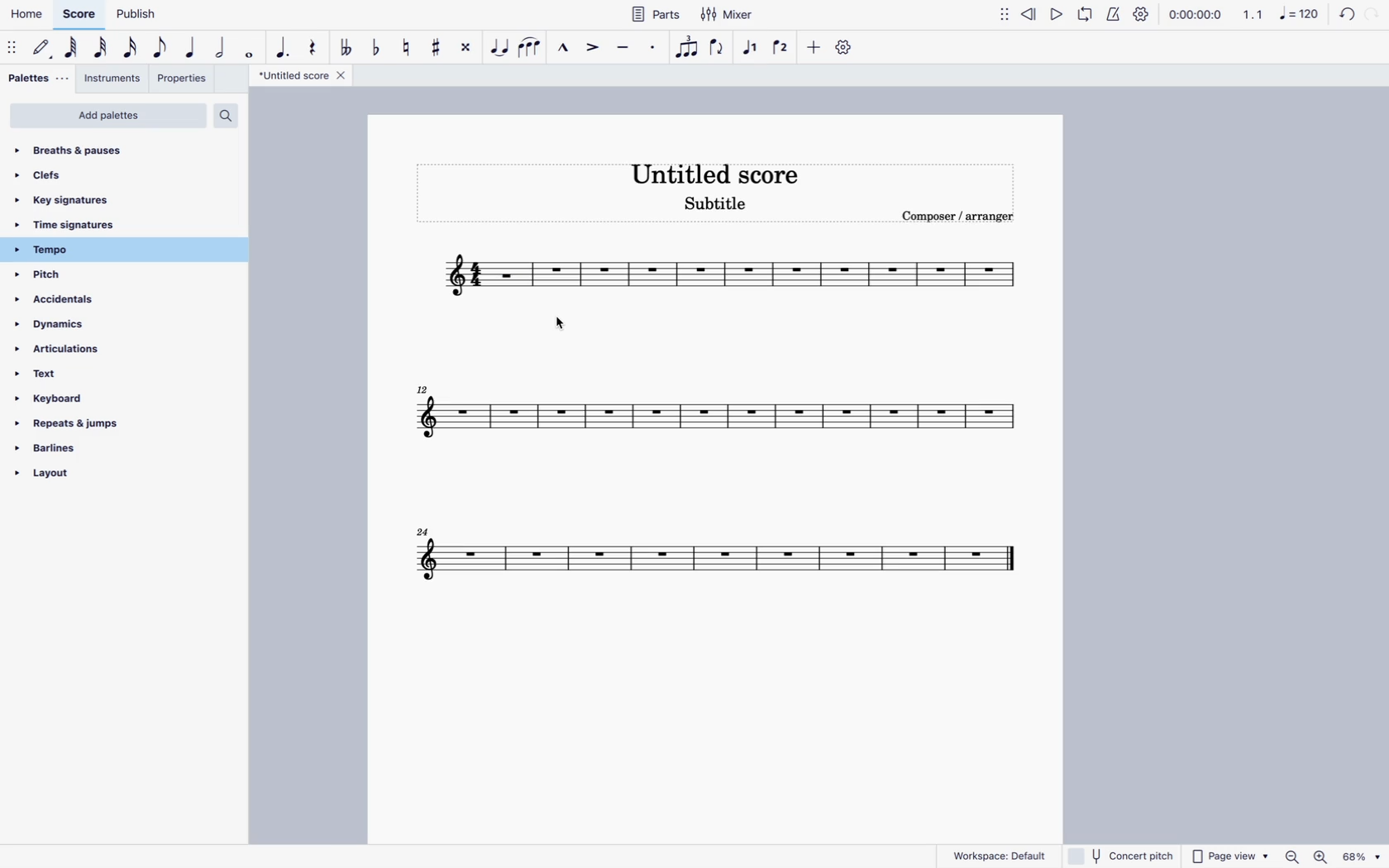 The width and height of the screenshot is (1389, 868). What do you see at coordinates (513, 278) in the screenshot?
I see `piece transposed` at bounding box center [513, 278].